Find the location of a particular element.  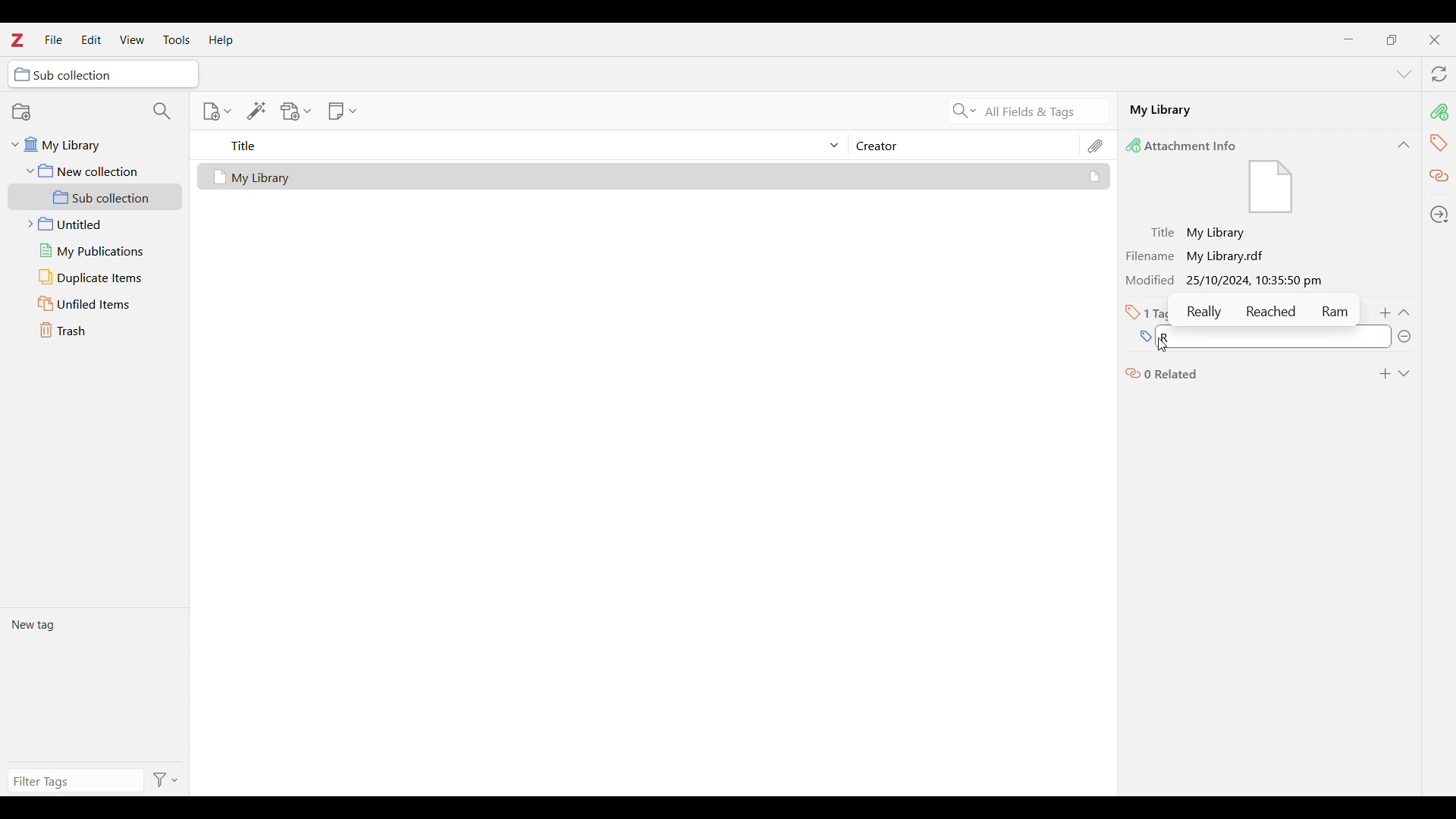

Current tags is located at coordinates (94, 684).